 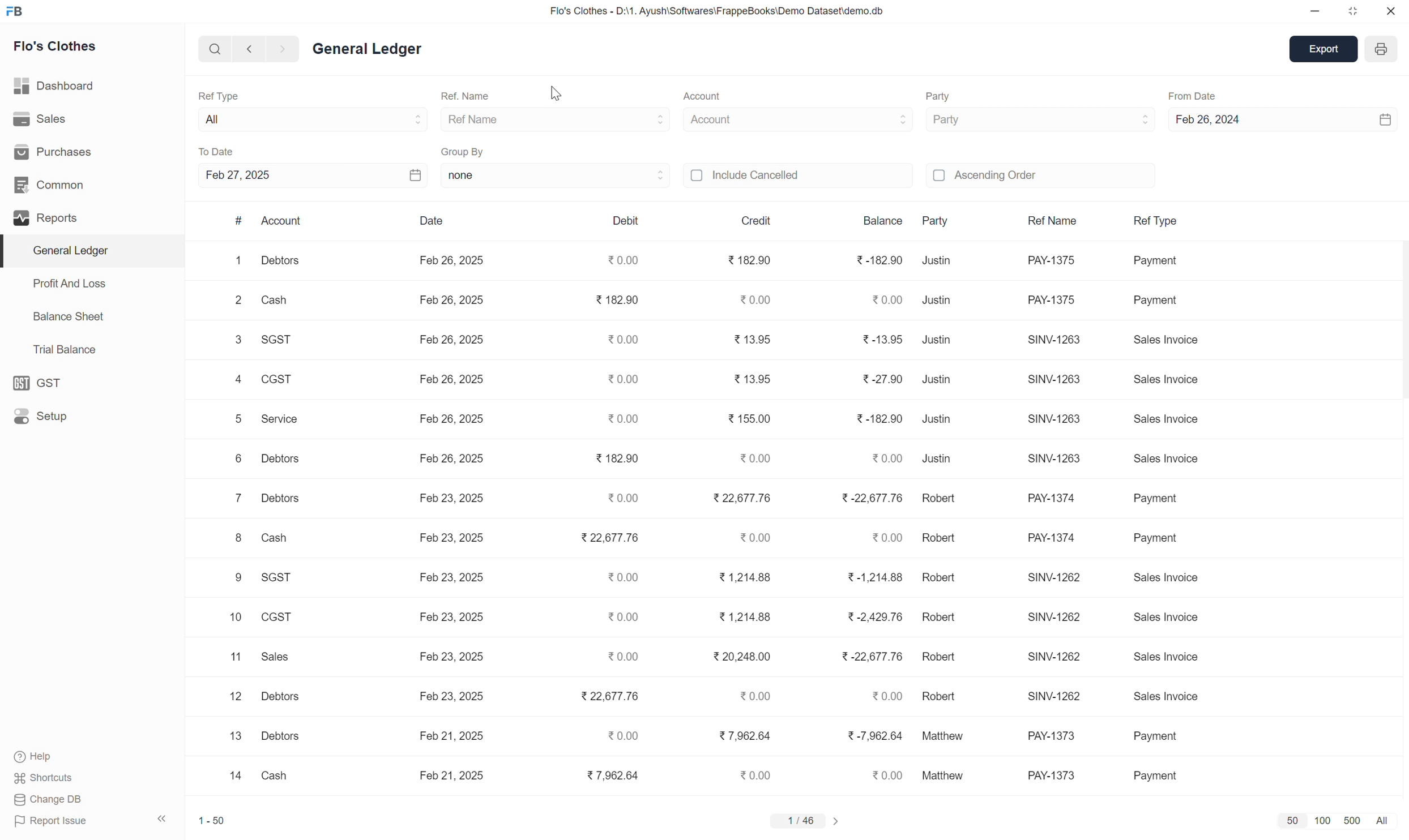 What do you see at coordinates (1150, 538) in the screenshot?
I see `payment` at bounding box center [1150, 538].